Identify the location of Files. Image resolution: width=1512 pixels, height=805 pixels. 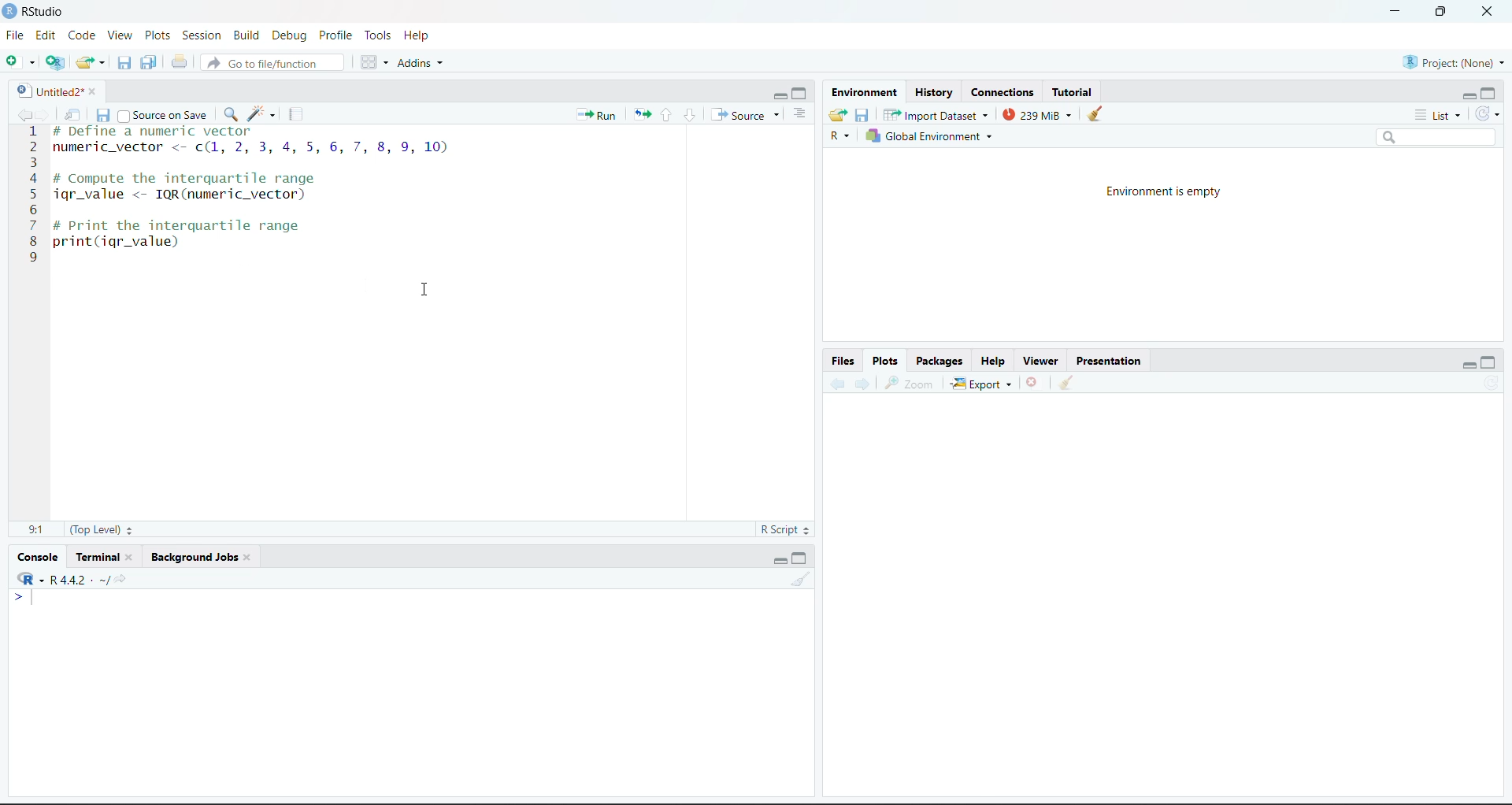
(843, 359).